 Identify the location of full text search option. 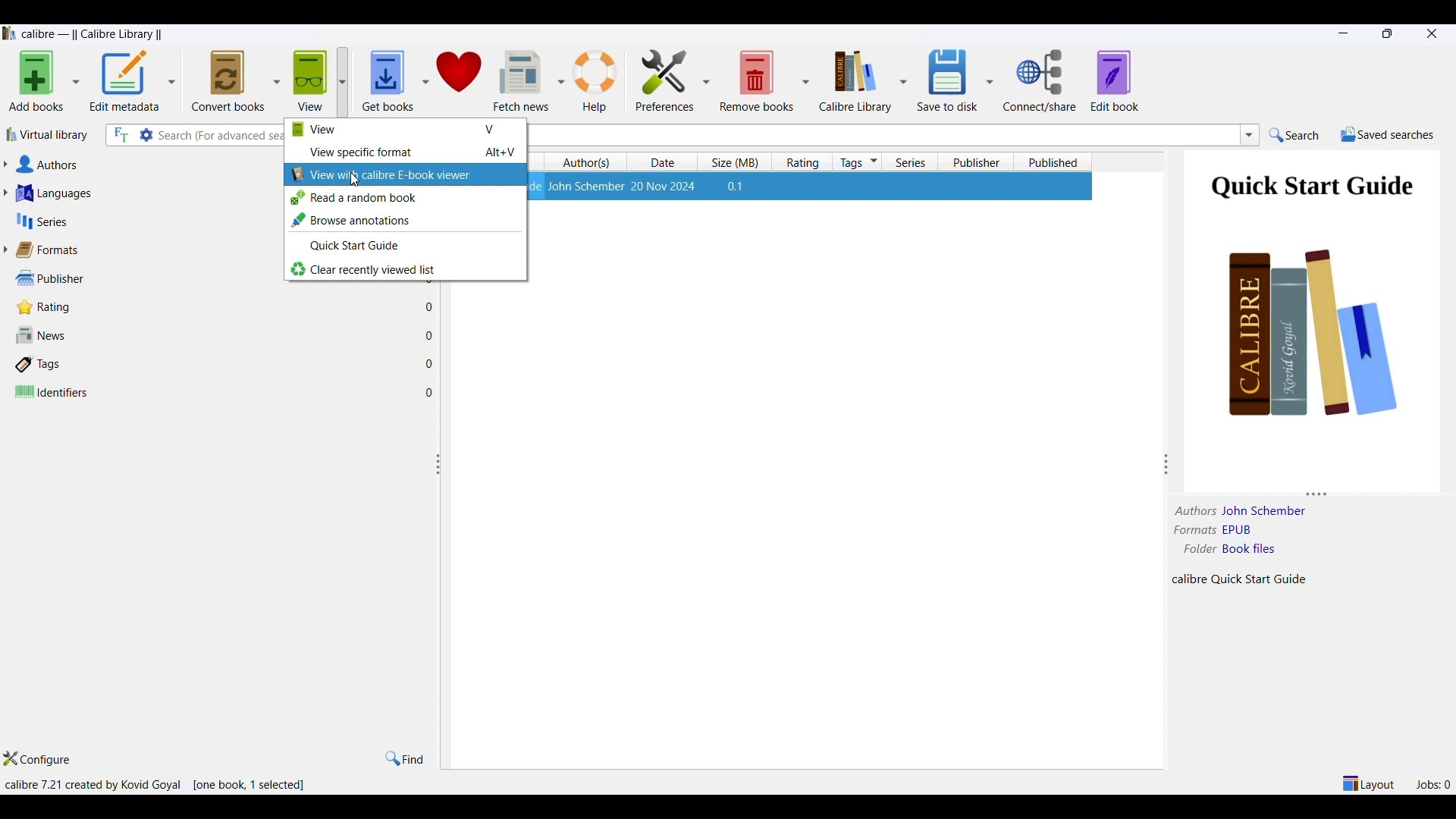
(121, 134).